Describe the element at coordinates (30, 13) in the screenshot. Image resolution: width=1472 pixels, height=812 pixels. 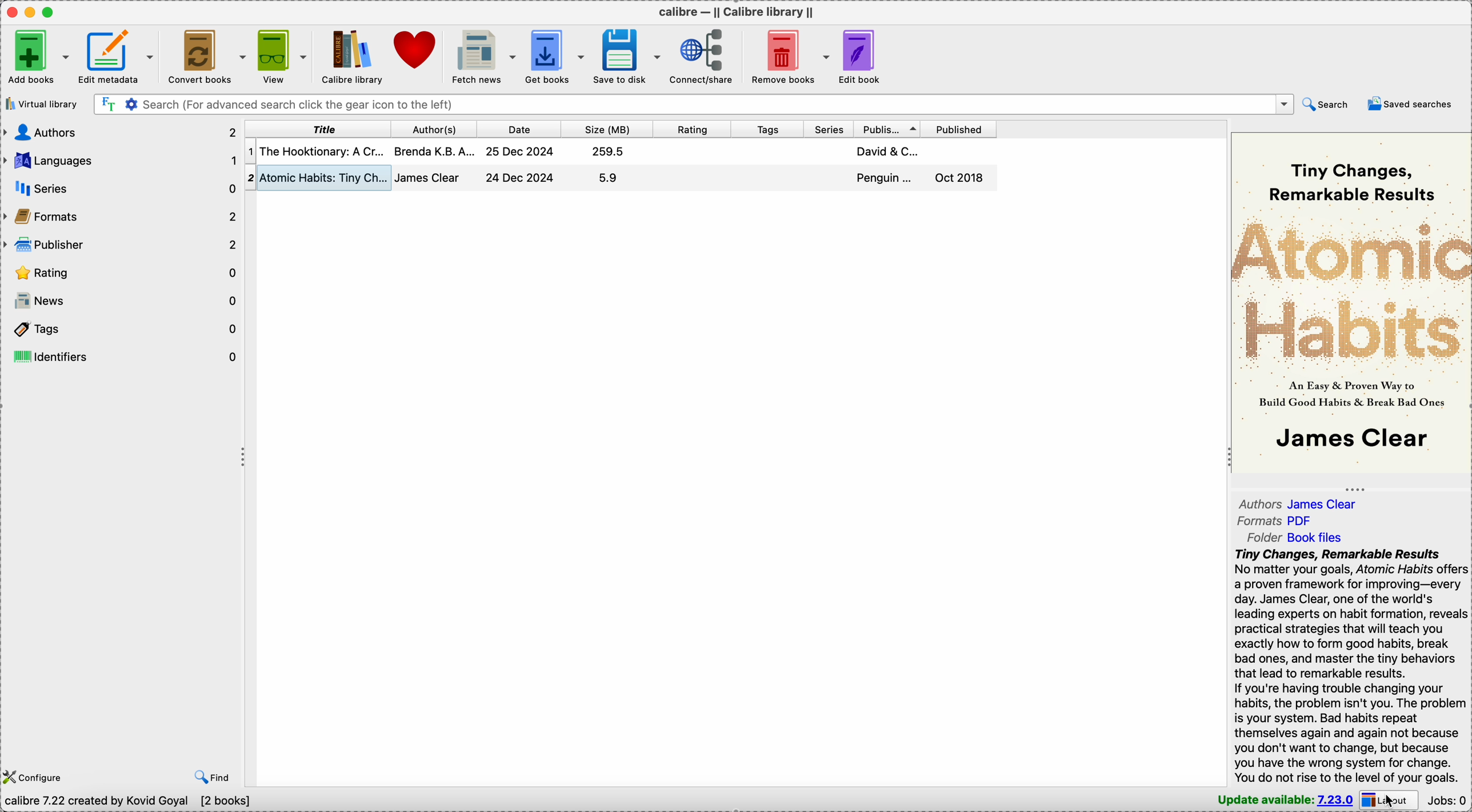
I see `minimize Calibre` at that location.